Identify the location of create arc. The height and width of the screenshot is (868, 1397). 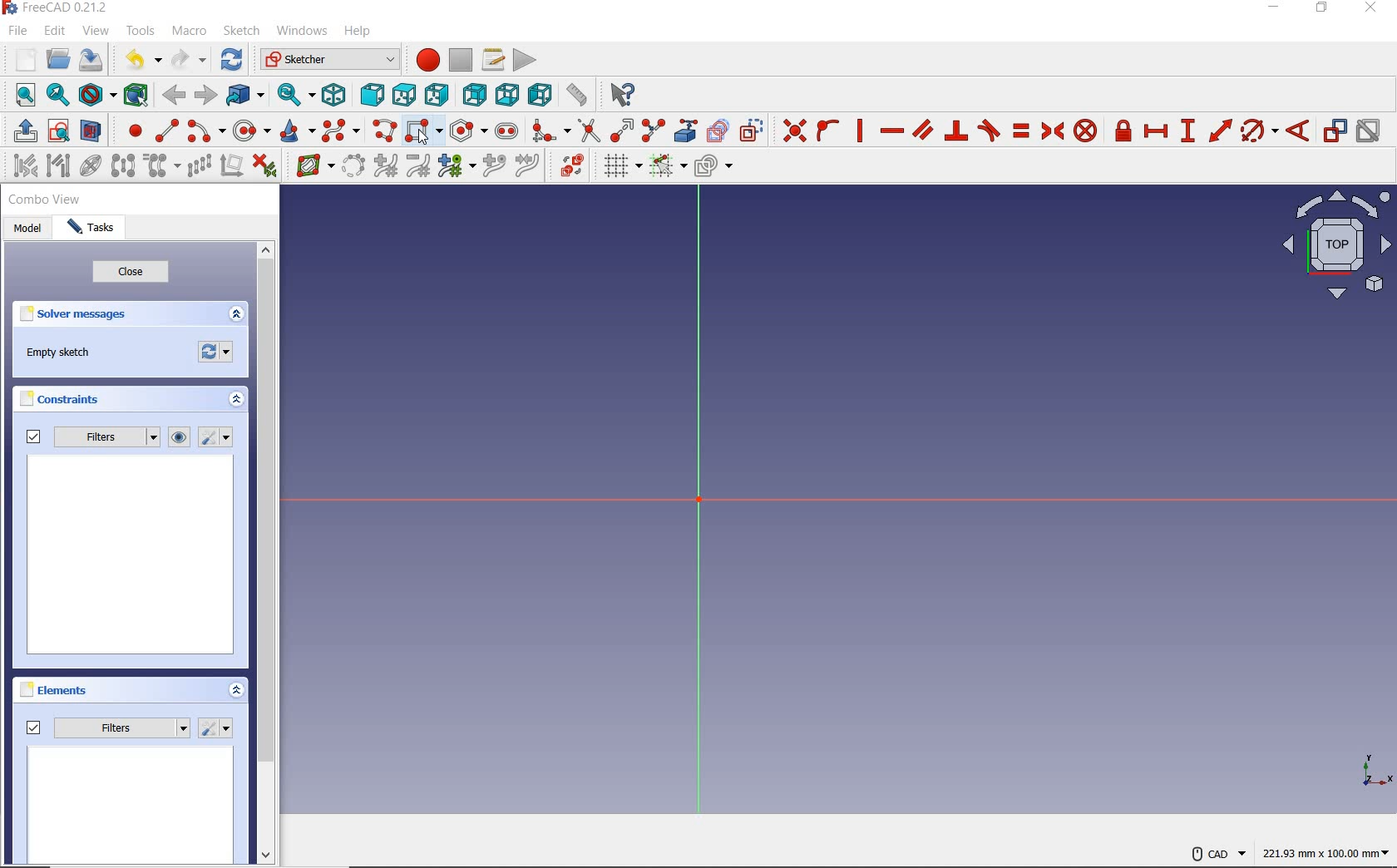
(205, 132).